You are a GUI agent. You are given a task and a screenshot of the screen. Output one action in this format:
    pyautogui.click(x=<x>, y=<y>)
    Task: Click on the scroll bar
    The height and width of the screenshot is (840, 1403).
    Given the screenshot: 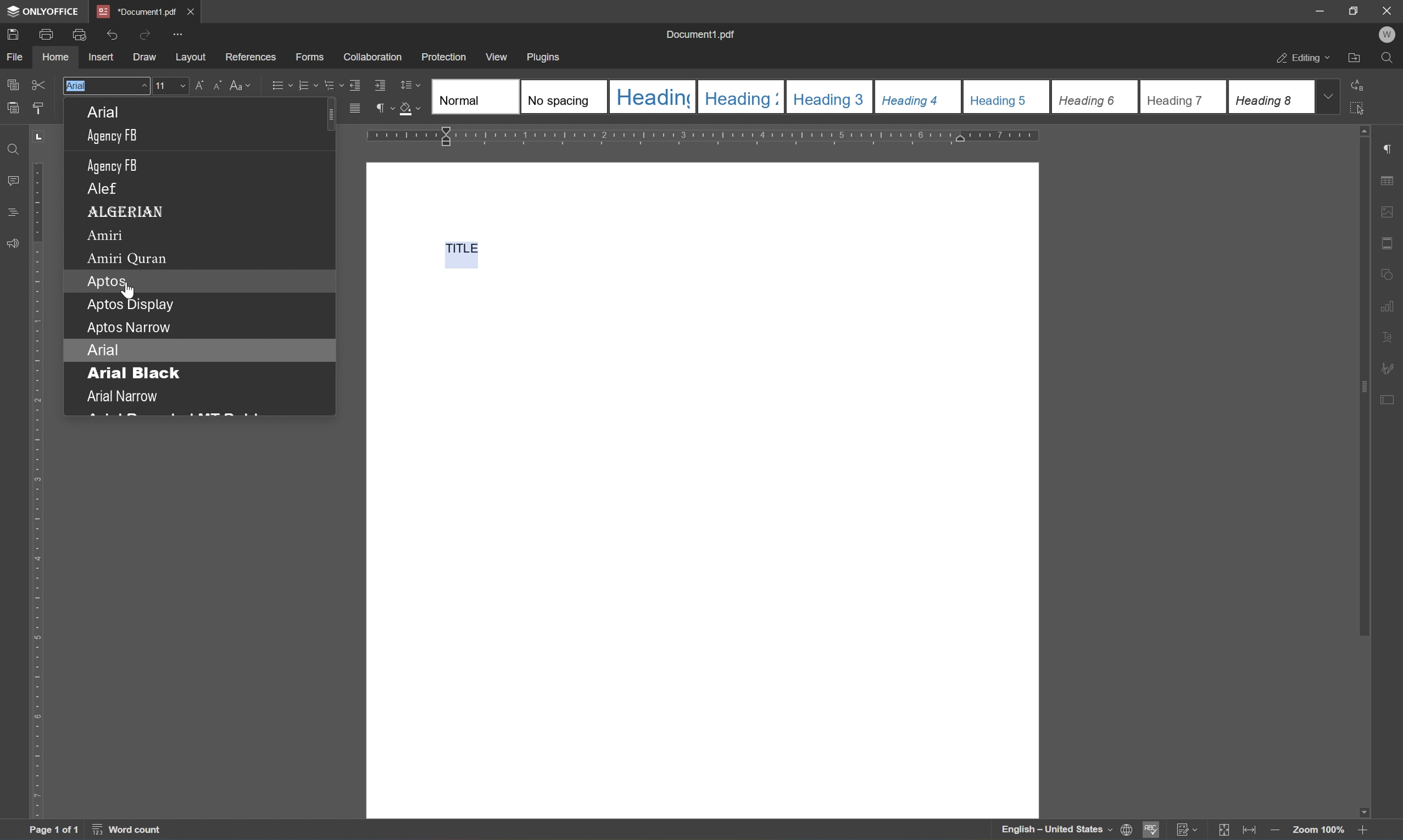 What is the action you would take?
    pyautogui.click(x=1363, y=381)
    